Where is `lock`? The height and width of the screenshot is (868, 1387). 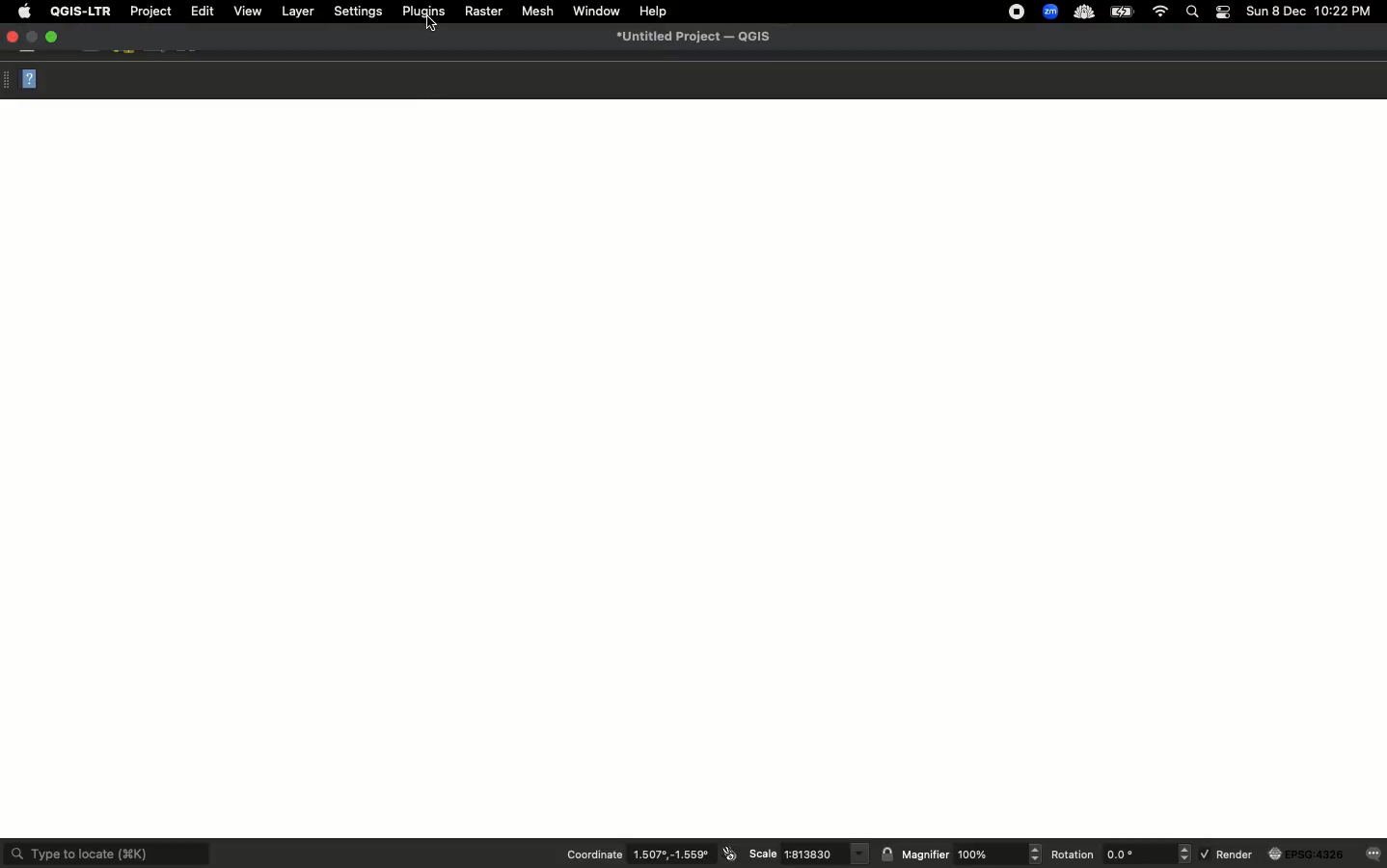 lock is located at coordinates (887, 854).